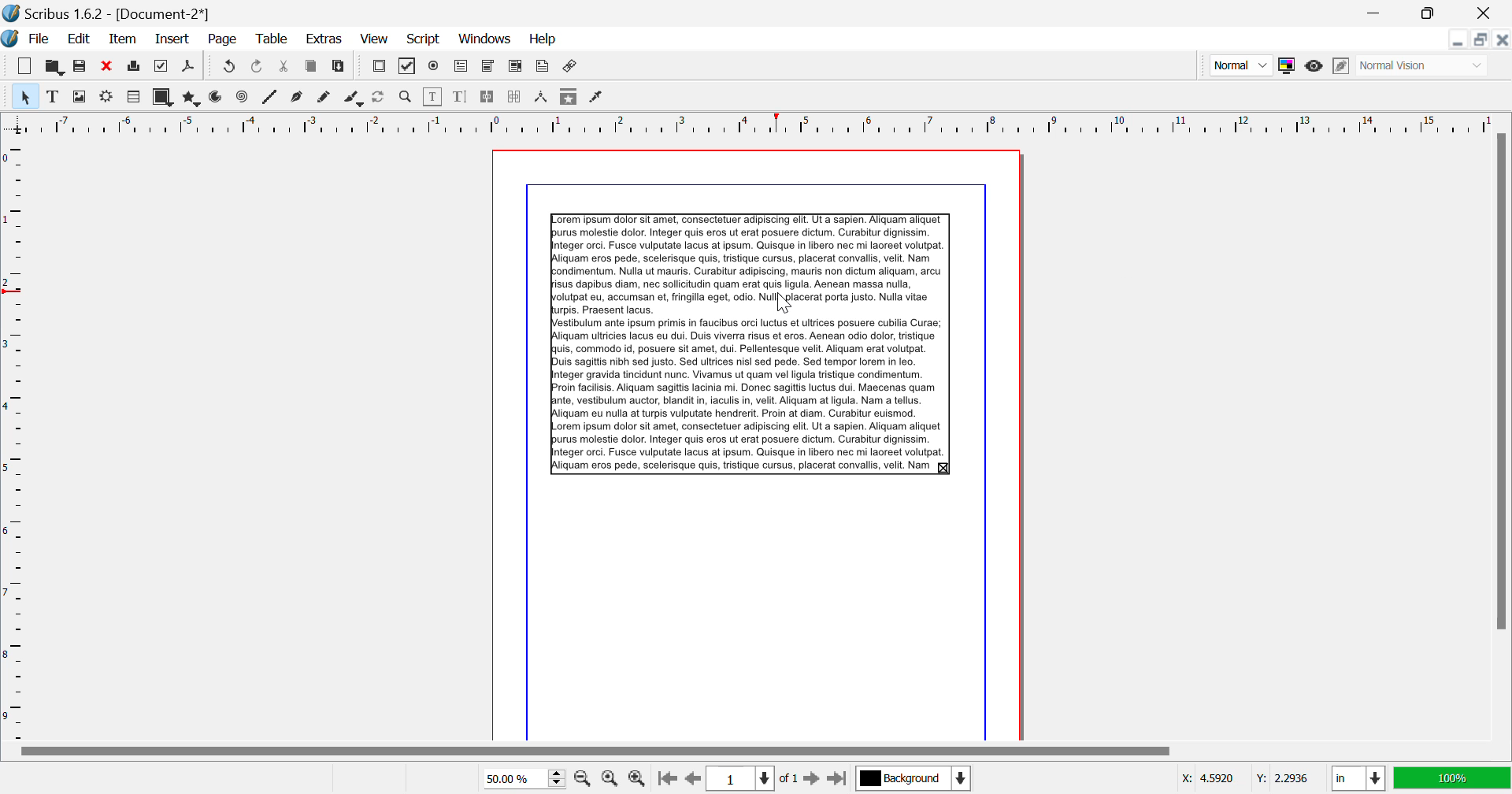 The width and height of the screenshot is (1512, 794). What do you see at coordinates (217, 98) in the screenshot?
I see `Arcs` at bounding box center [217, 98].